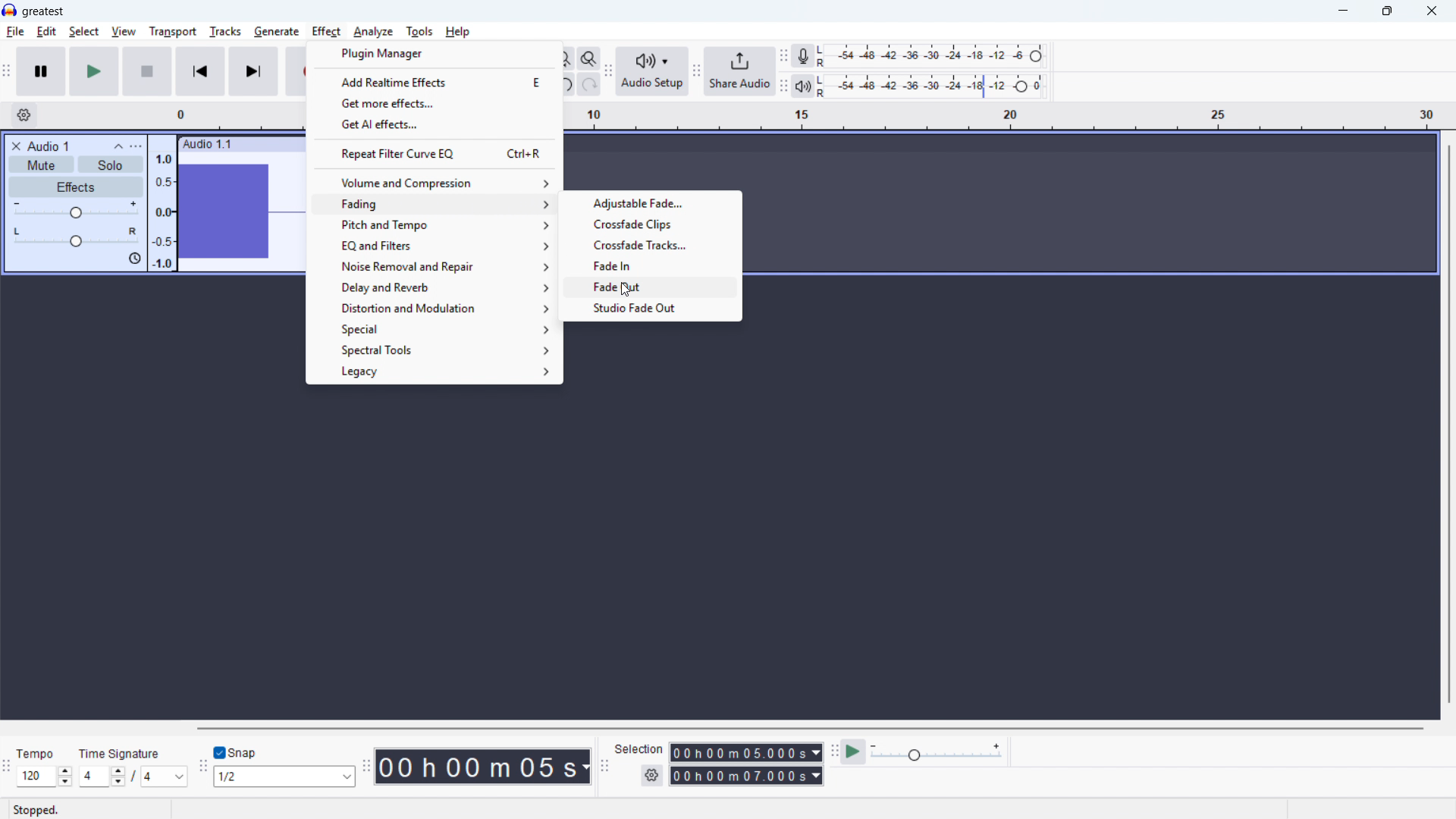  I want to click on Share audio , so click(739, 71).